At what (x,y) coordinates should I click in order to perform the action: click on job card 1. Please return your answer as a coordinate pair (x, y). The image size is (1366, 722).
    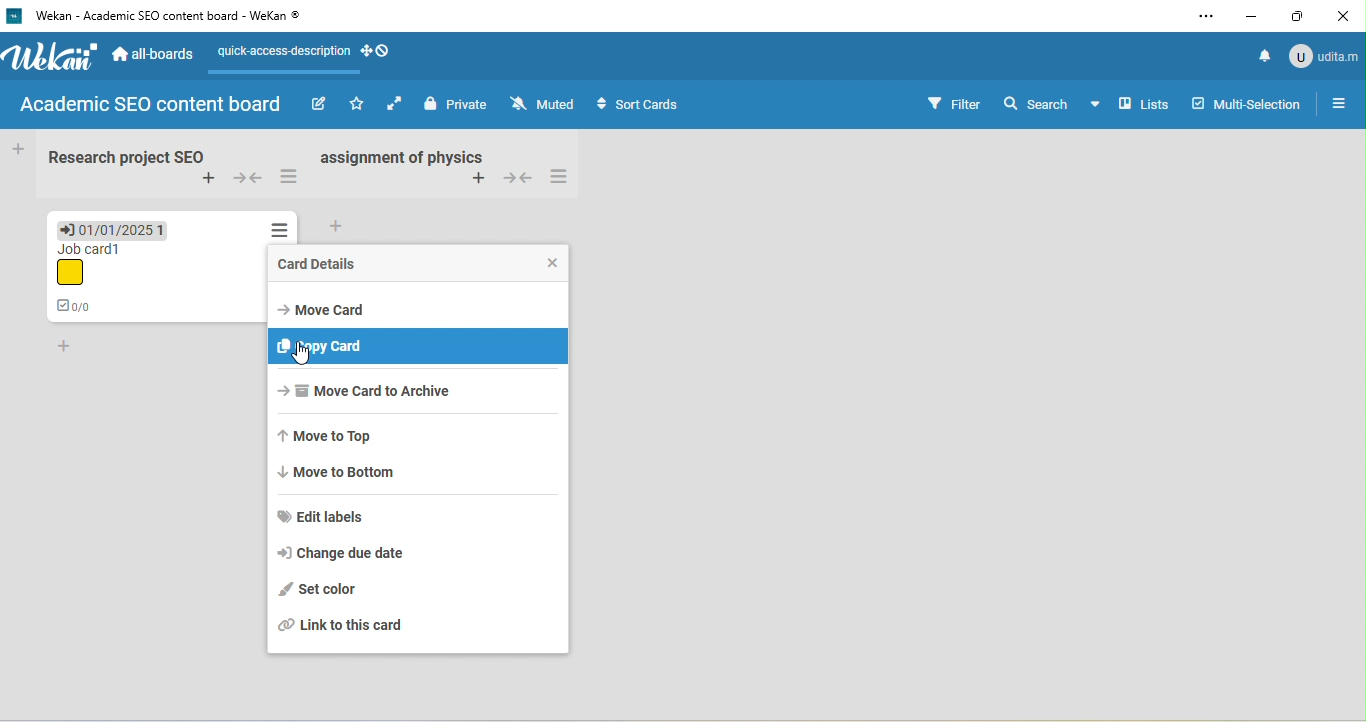
    Looking at the image, I should click on (88, 265).